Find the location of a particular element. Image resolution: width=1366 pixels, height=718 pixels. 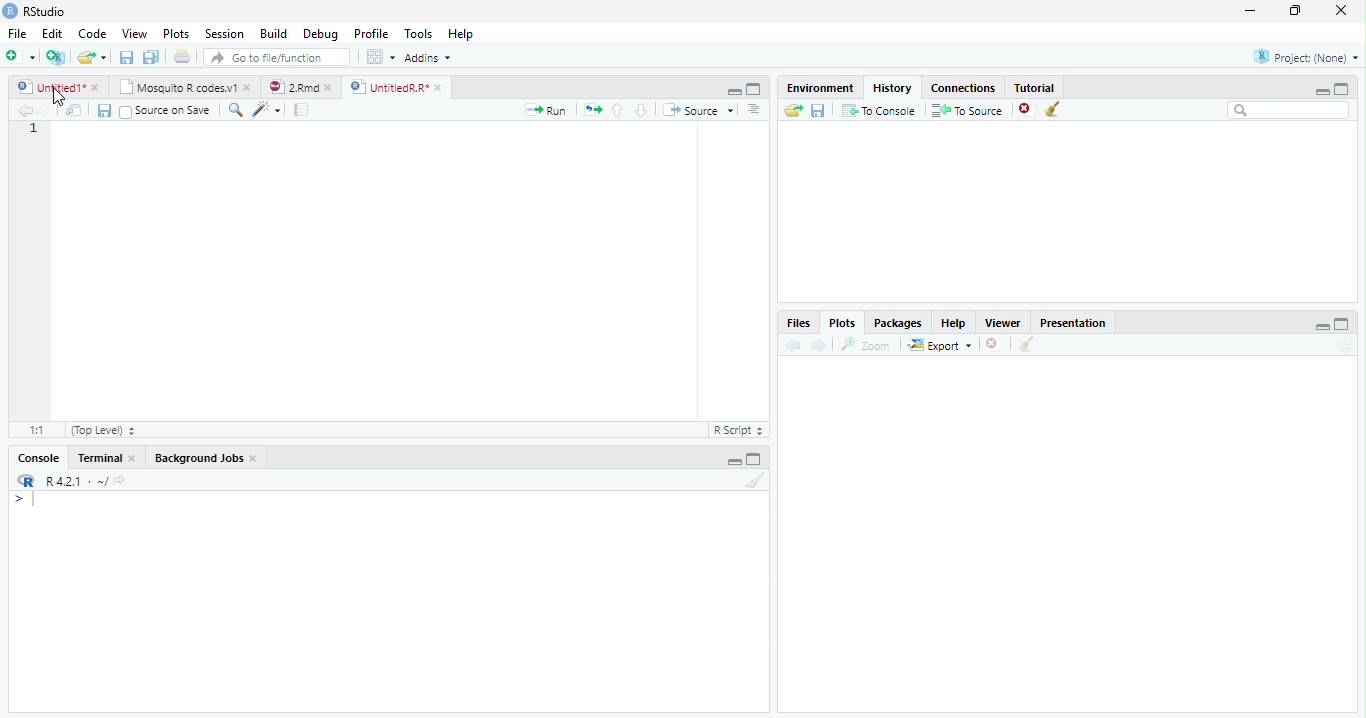

Save all is located at coordinates (108, 112).